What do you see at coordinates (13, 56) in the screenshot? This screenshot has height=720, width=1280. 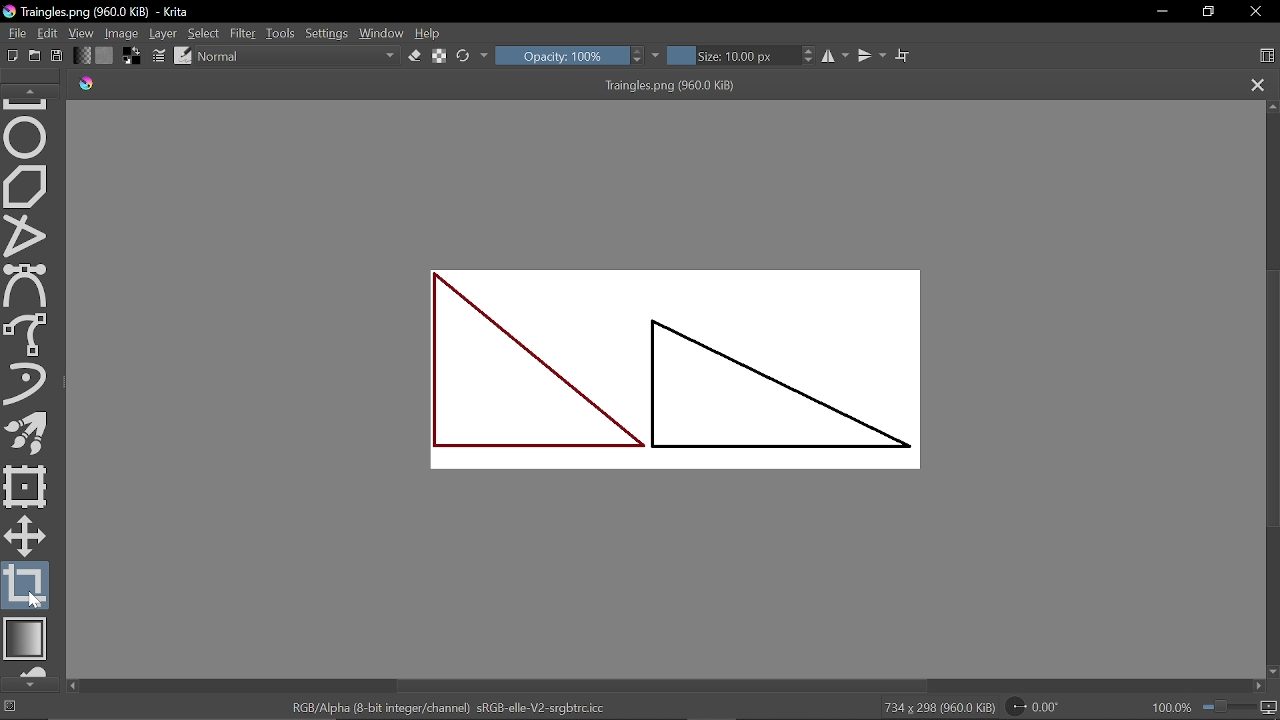 I see `Create new document` at bounding box center [13, 56].